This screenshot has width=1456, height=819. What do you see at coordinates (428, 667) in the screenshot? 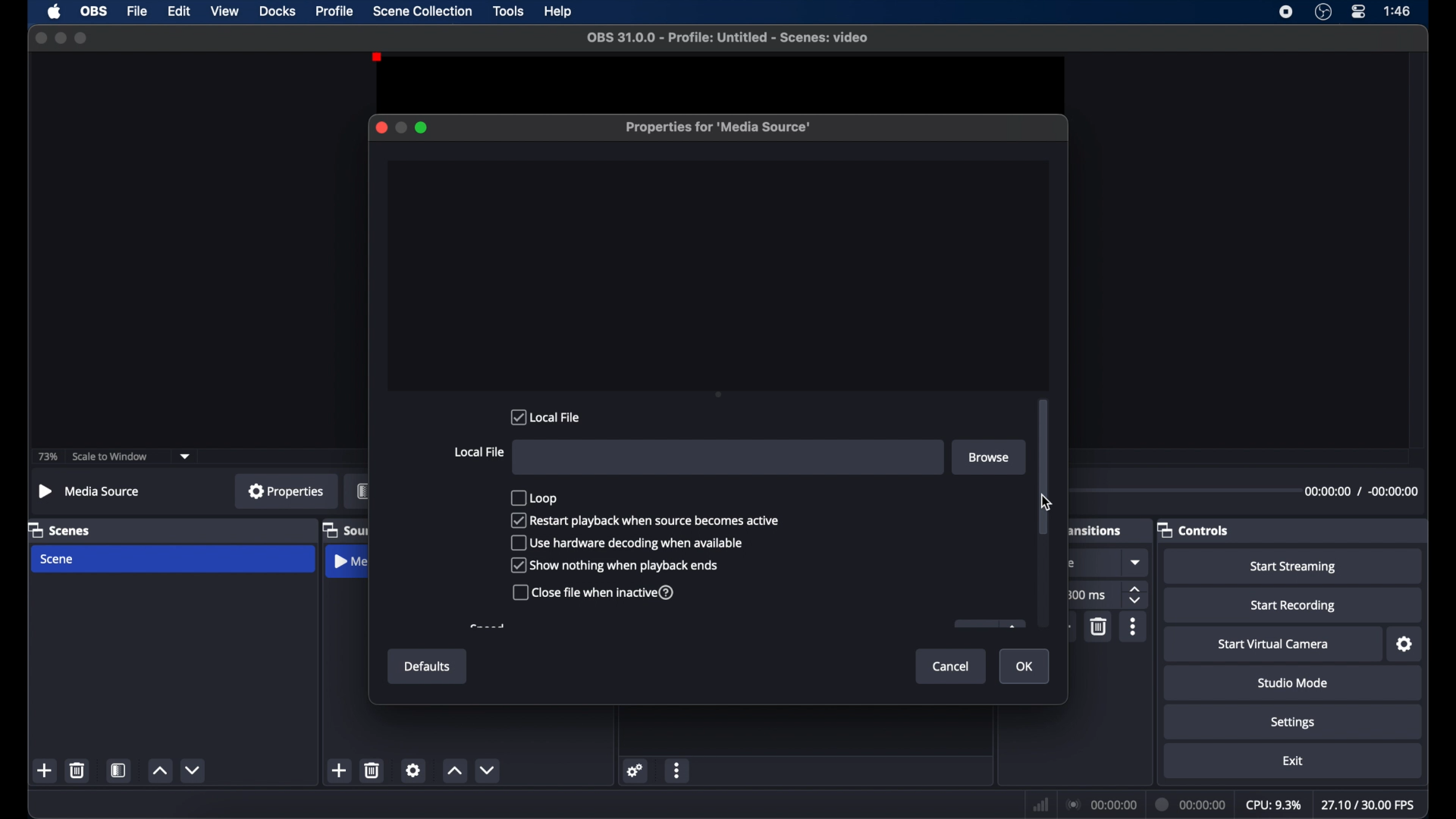
I see `defaults` at bounding box center [428, 667].